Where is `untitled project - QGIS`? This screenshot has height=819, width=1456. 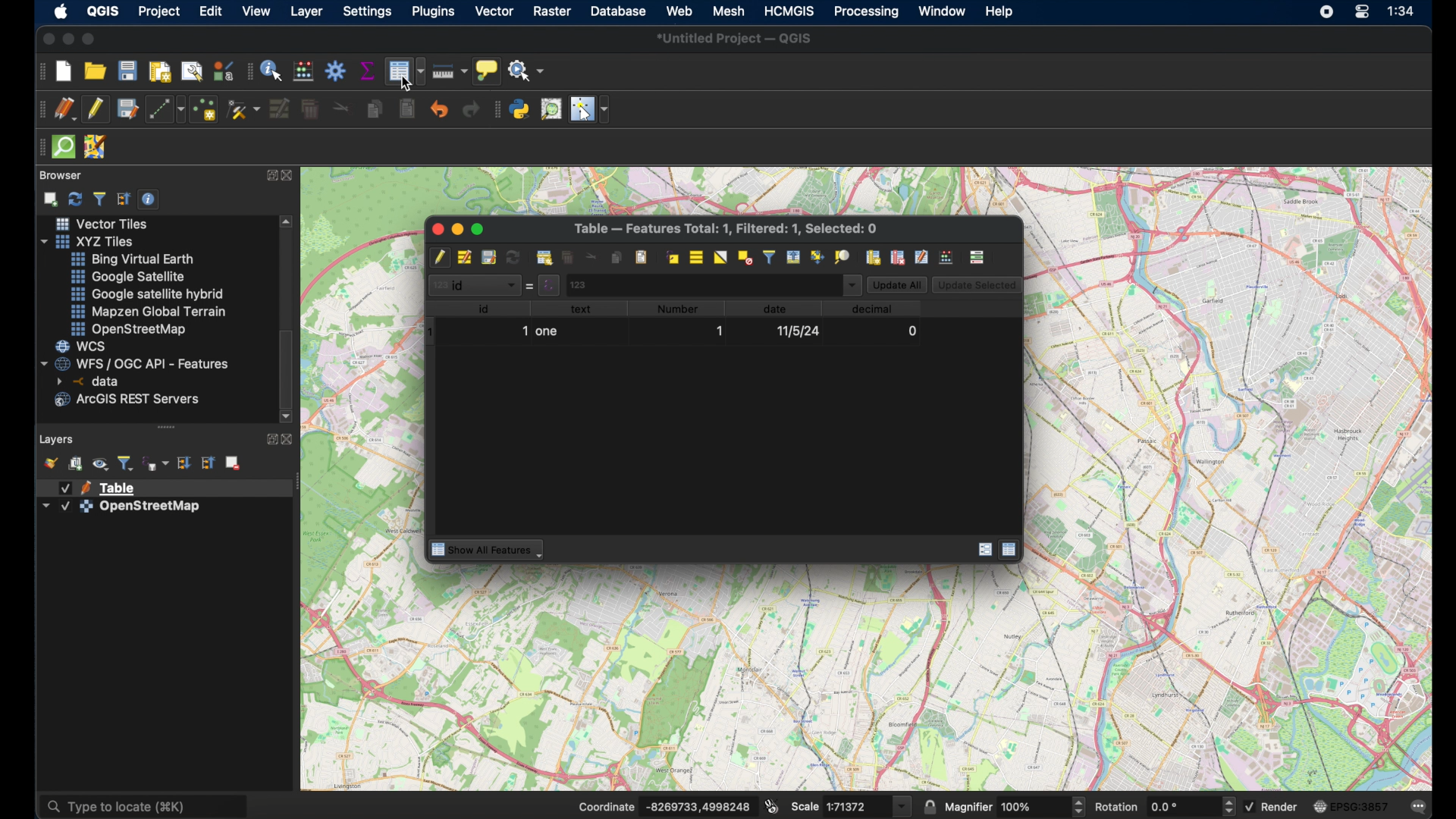 untitled project - QGIS is located at coordinates (736, 39).